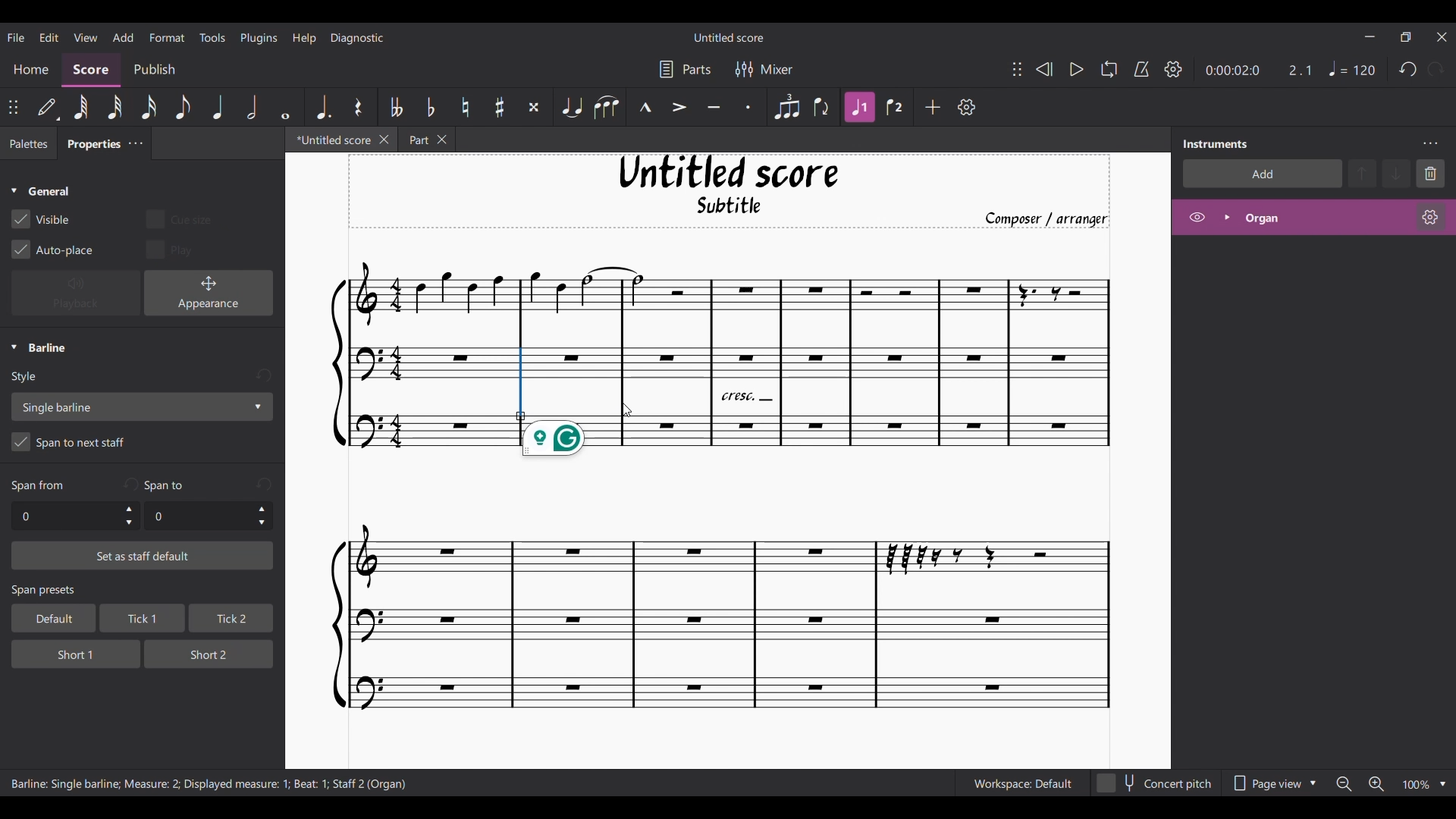  Describe the element at coordinates (49, 36) in the screenshot. I see `Edit menu` at that location.